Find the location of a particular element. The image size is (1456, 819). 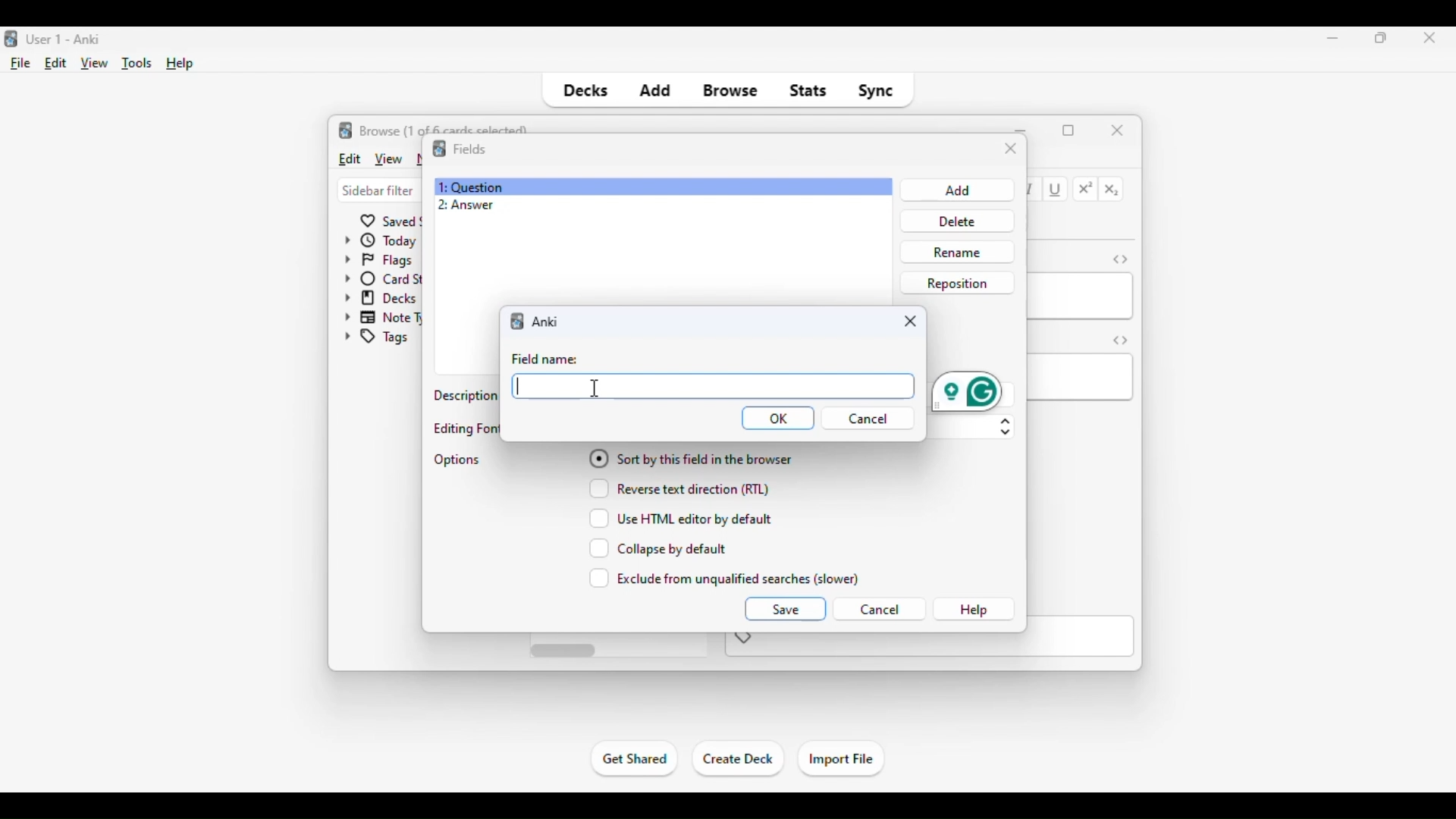

cancel is located at coordinates (873, 419).